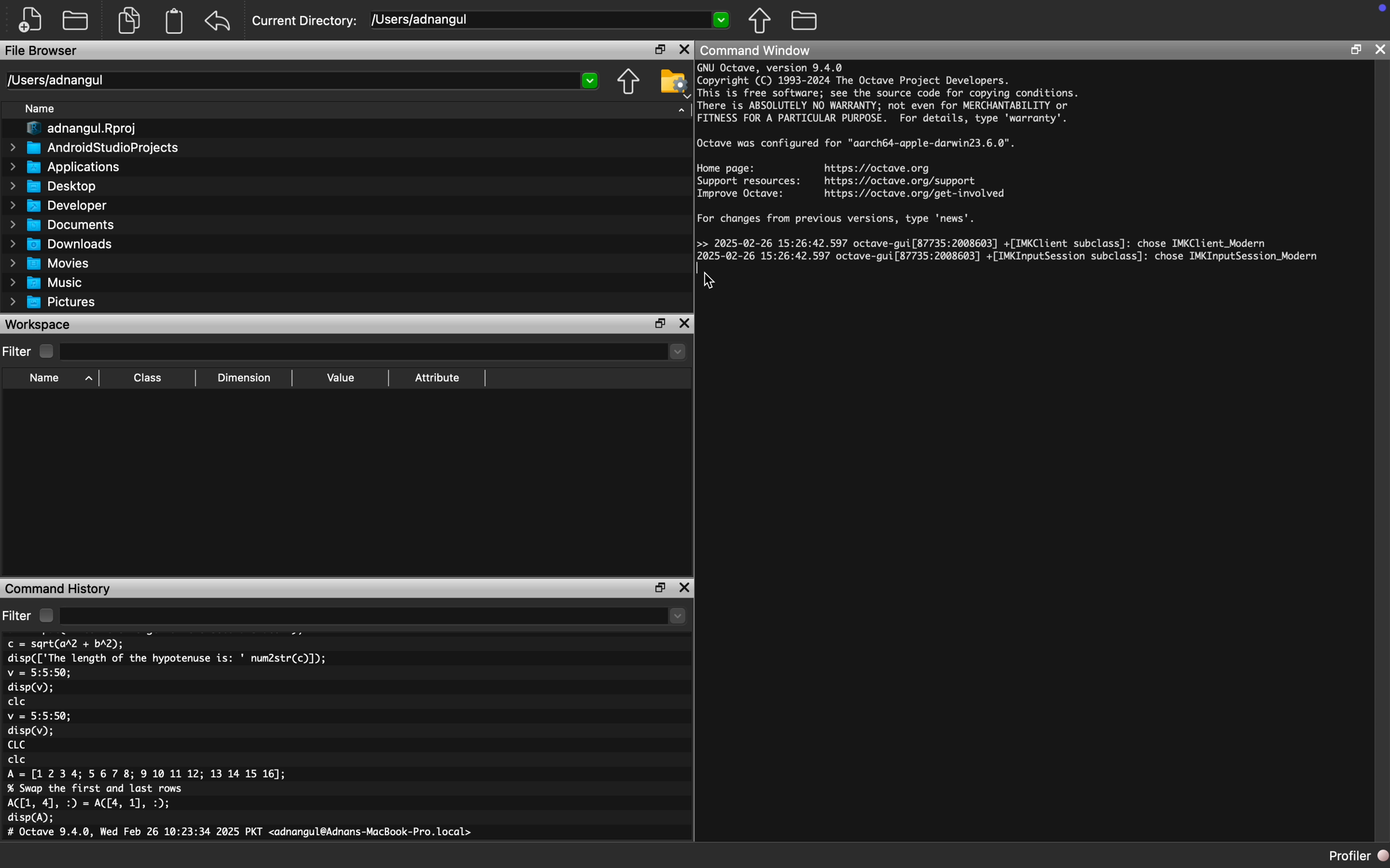 Image resolution: width=1390 pixels, height=868 pixels. I want to click on Profiler, so click(1358, 857).